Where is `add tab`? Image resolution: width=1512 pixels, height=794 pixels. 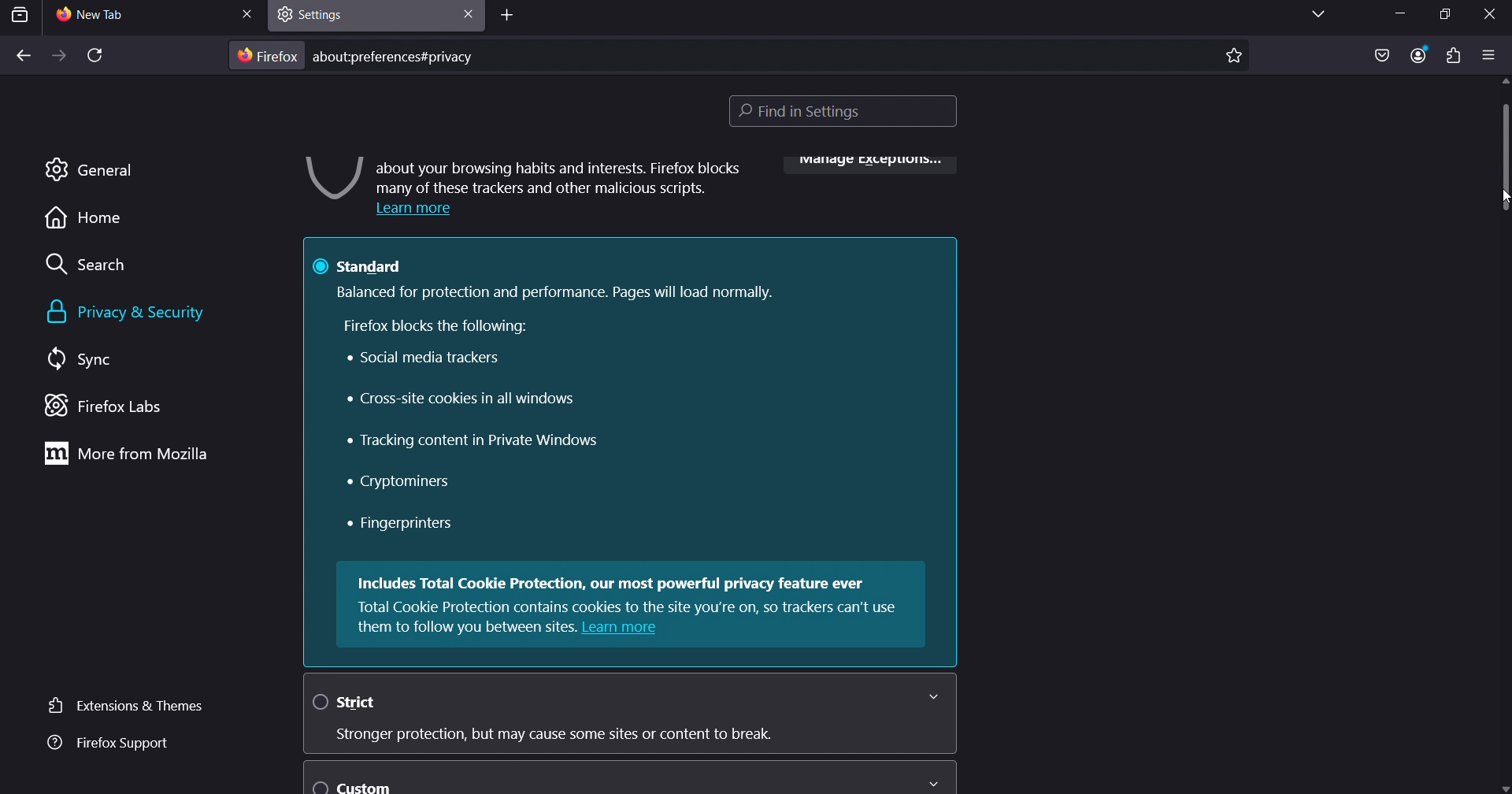 add tab is located at coordinates (509, 18).